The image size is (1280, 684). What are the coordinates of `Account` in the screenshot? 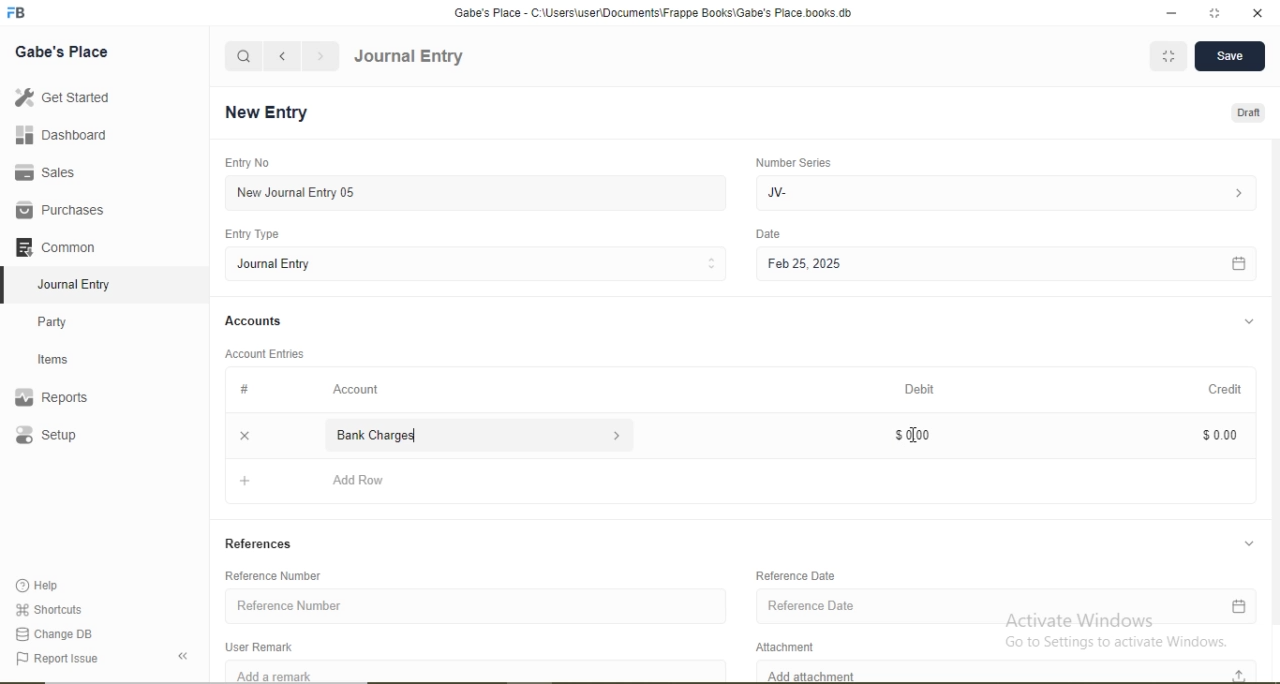 It's located at (357, 389).